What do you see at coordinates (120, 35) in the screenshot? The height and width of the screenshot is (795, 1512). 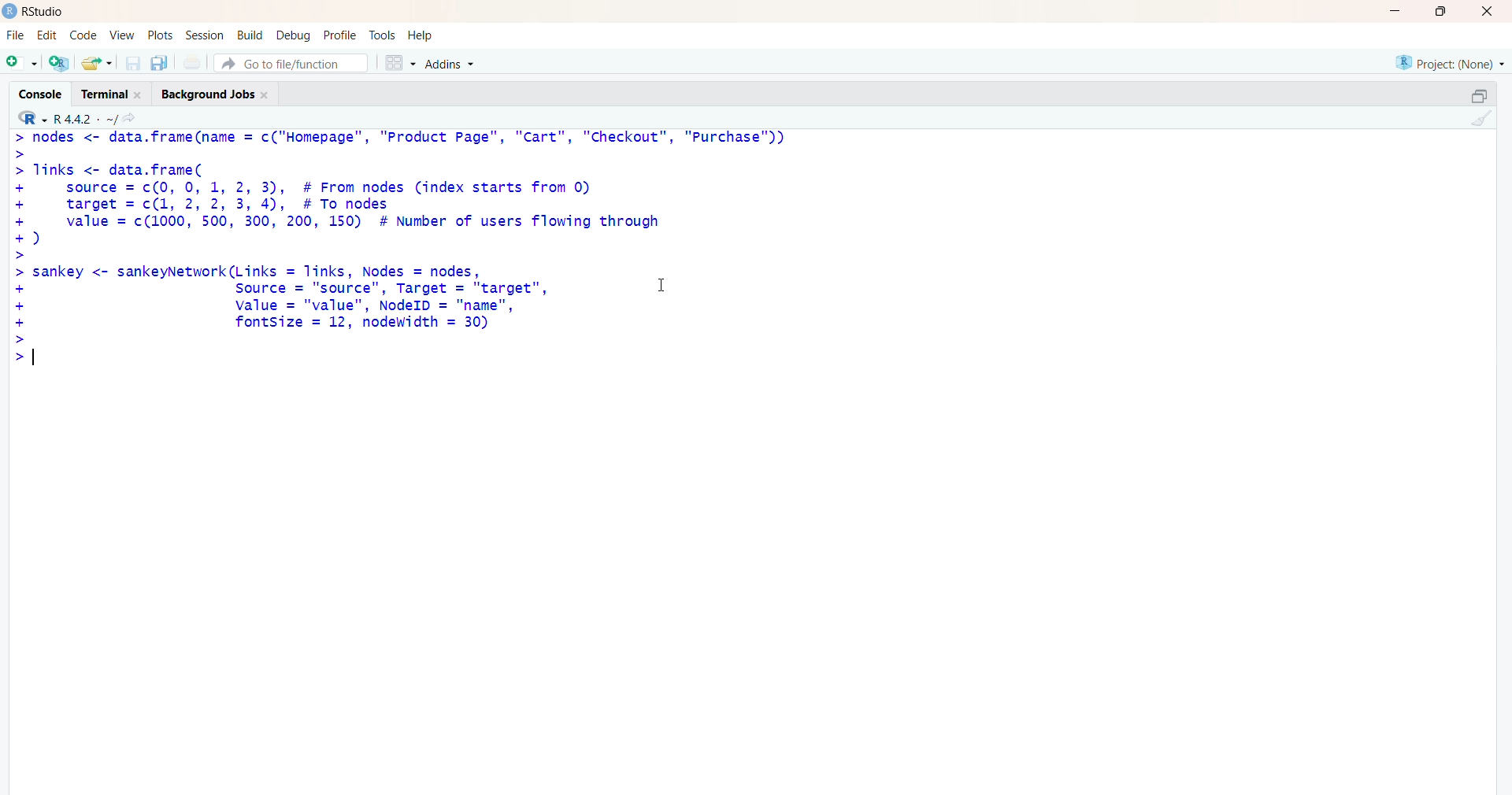 I see `view` at bounding box center [120, 35].